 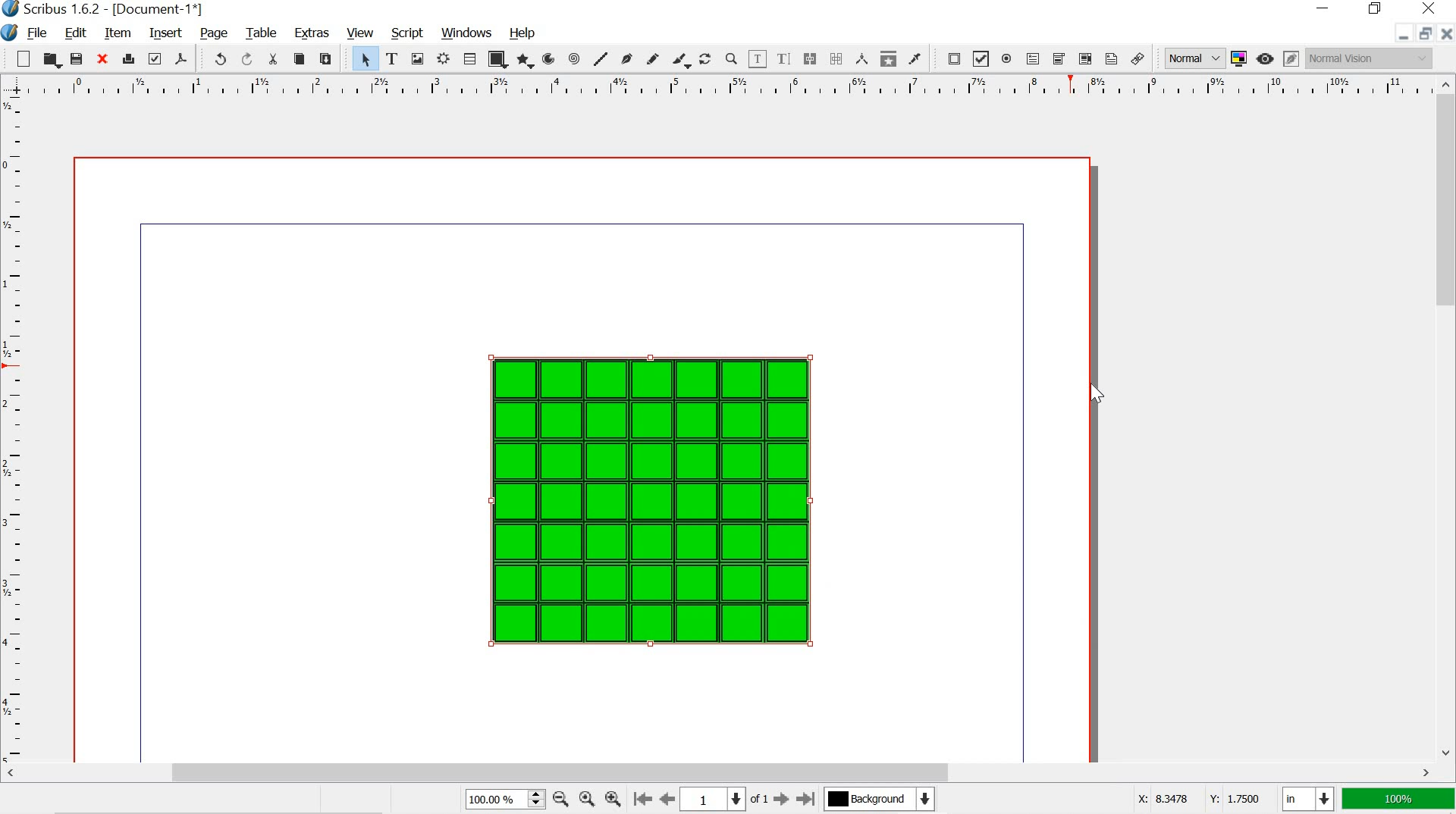 I want to click on zoom in or zoom out, so click(x=730, y=58).